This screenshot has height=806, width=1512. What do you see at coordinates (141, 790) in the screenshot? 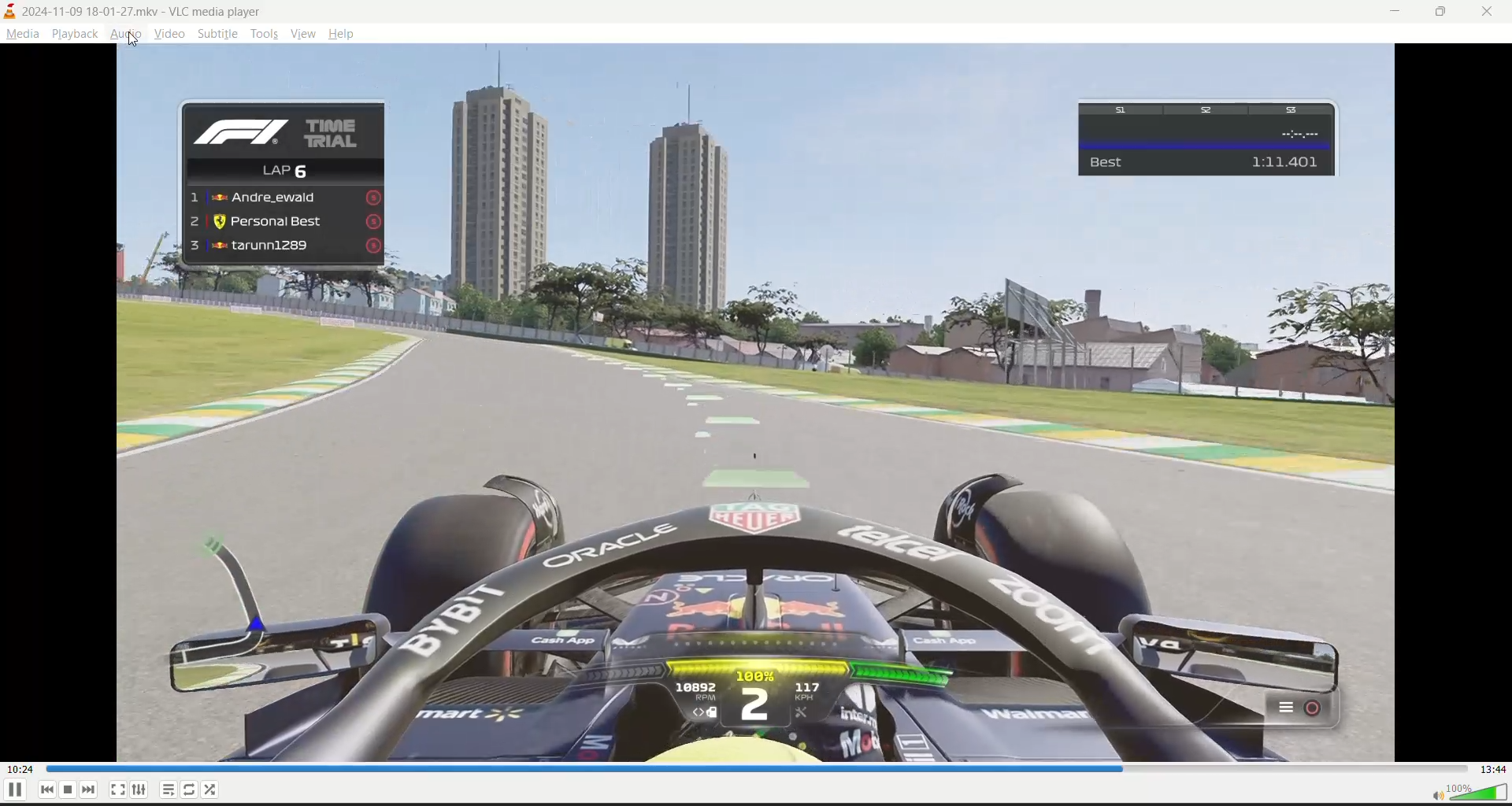
I see `settings` at bounding box center [141, 790].